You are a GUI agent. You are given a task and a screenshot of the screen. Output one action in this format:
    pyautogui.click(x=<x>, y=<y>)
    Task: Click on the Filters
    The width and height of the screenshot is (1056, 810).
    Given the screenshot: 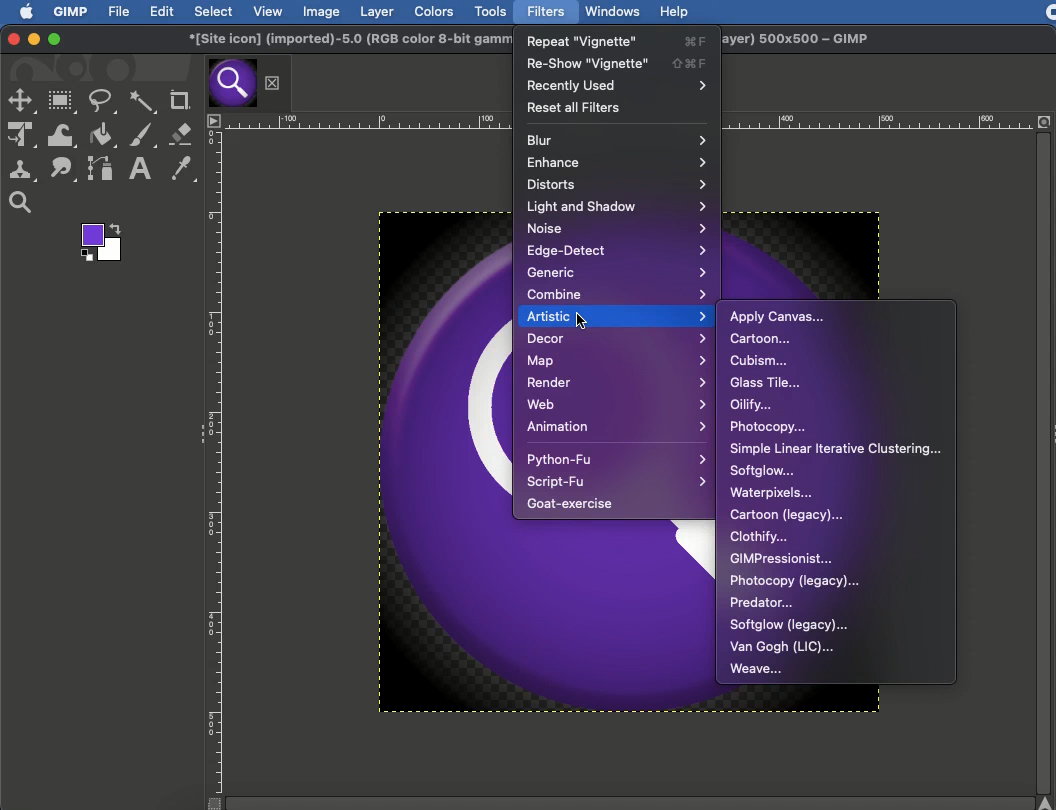 What is the action you would take?
    pyautogui.click(x=547, y=11)
    